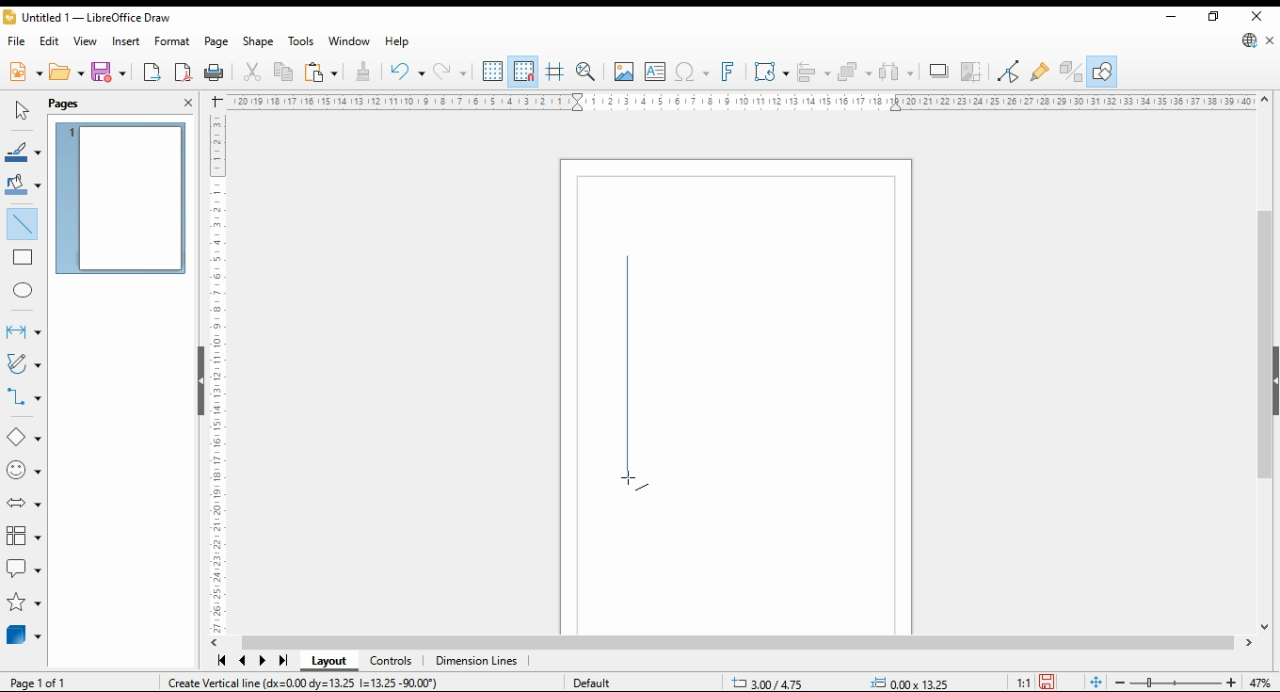  What do you see at coordinates (624, 71) in the screenshot?
I see `insert image` at bounding box center [624, 71].